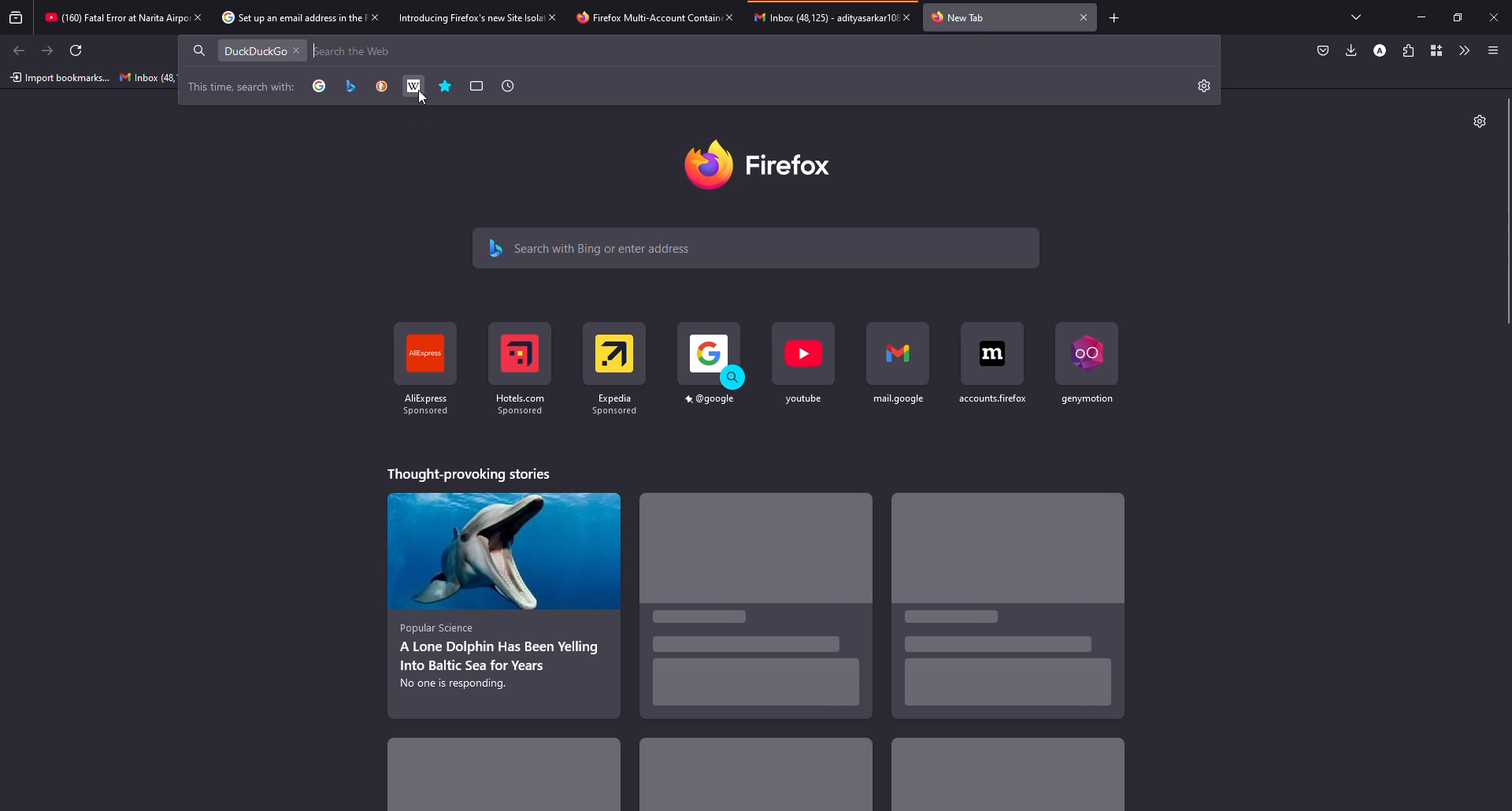 Image resolution: width=1512 pixels, height=811 pixels. What do you see at coordinates (280, 18) in the screenshot?
I see `tab` at bounding box center [280, 18].